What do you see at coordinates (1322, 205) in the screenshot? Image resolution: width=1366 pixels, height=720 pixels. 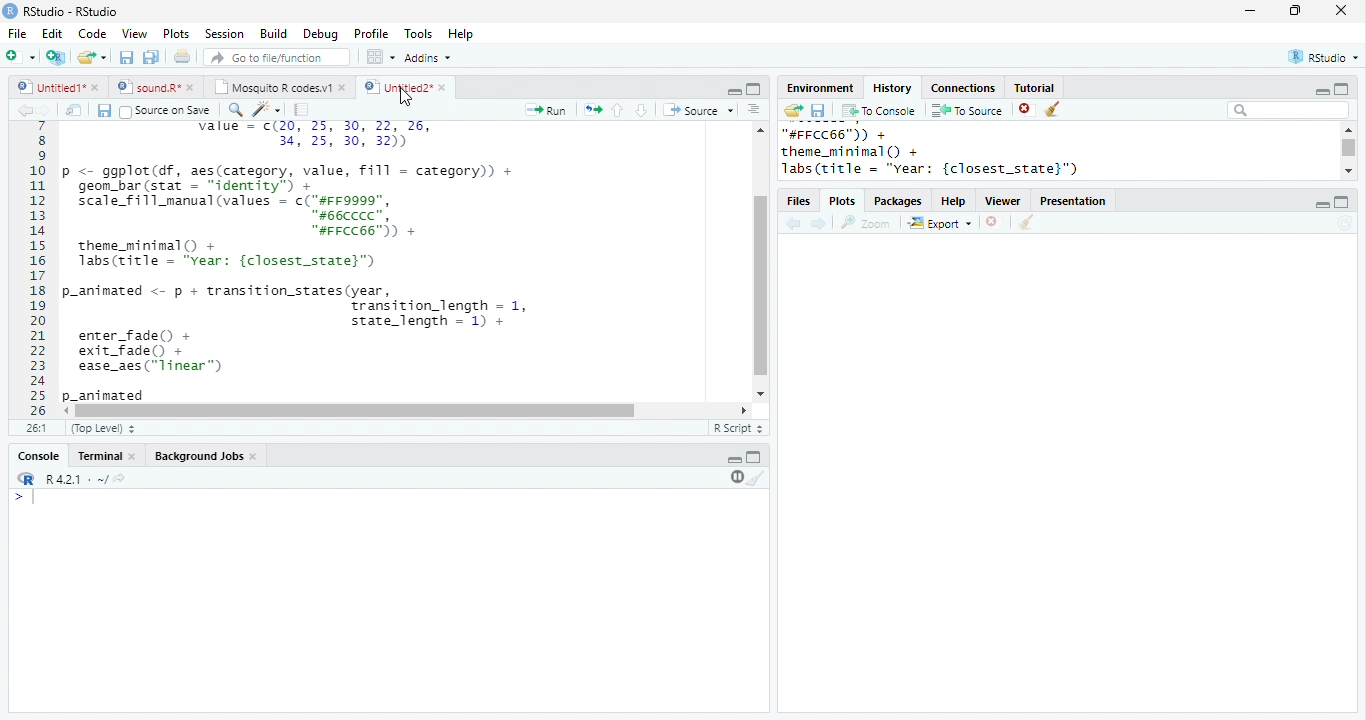 I see `minimize` at bounding box center [1322, 205].